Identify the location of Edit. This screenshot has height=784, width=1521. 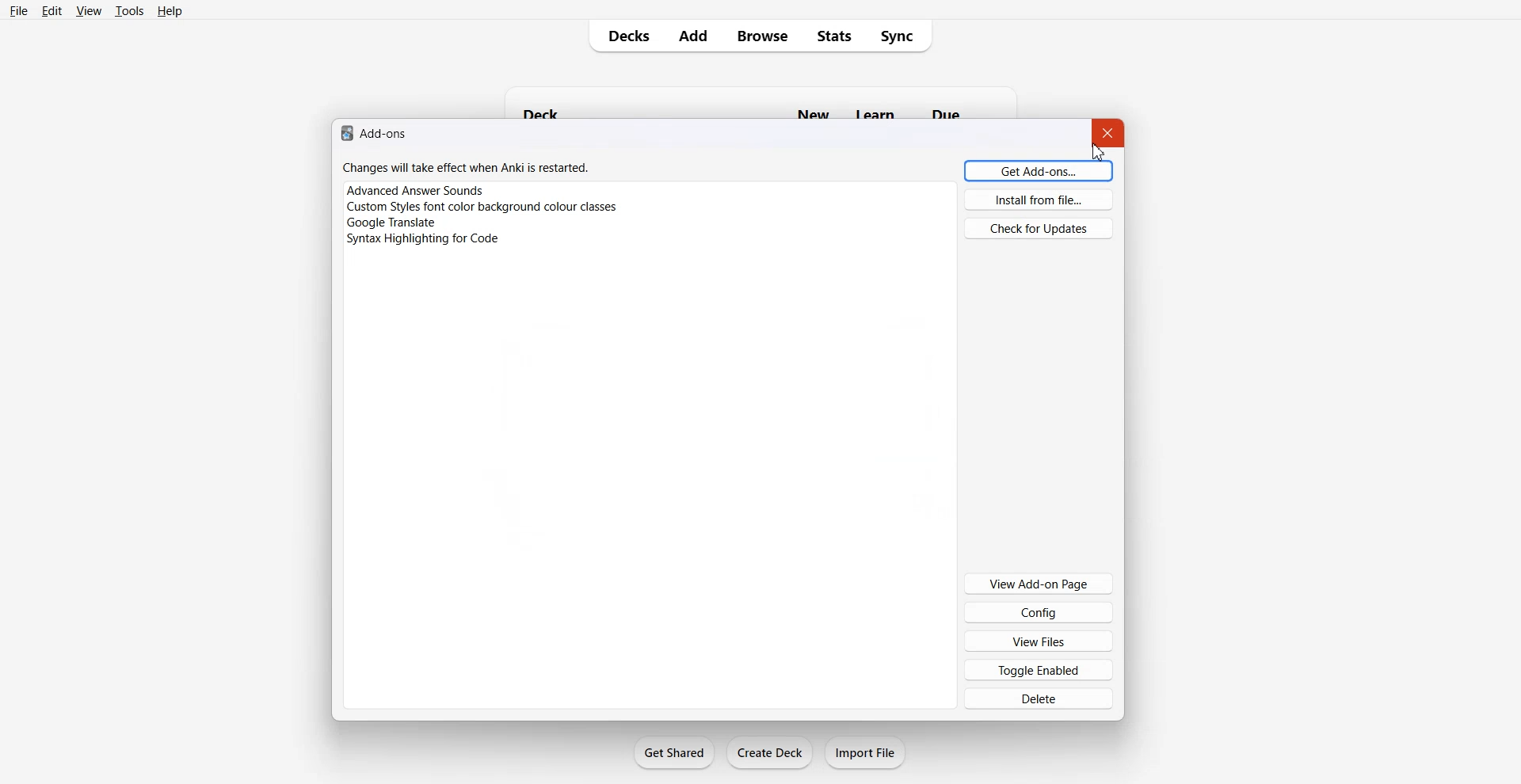
(51, 10).